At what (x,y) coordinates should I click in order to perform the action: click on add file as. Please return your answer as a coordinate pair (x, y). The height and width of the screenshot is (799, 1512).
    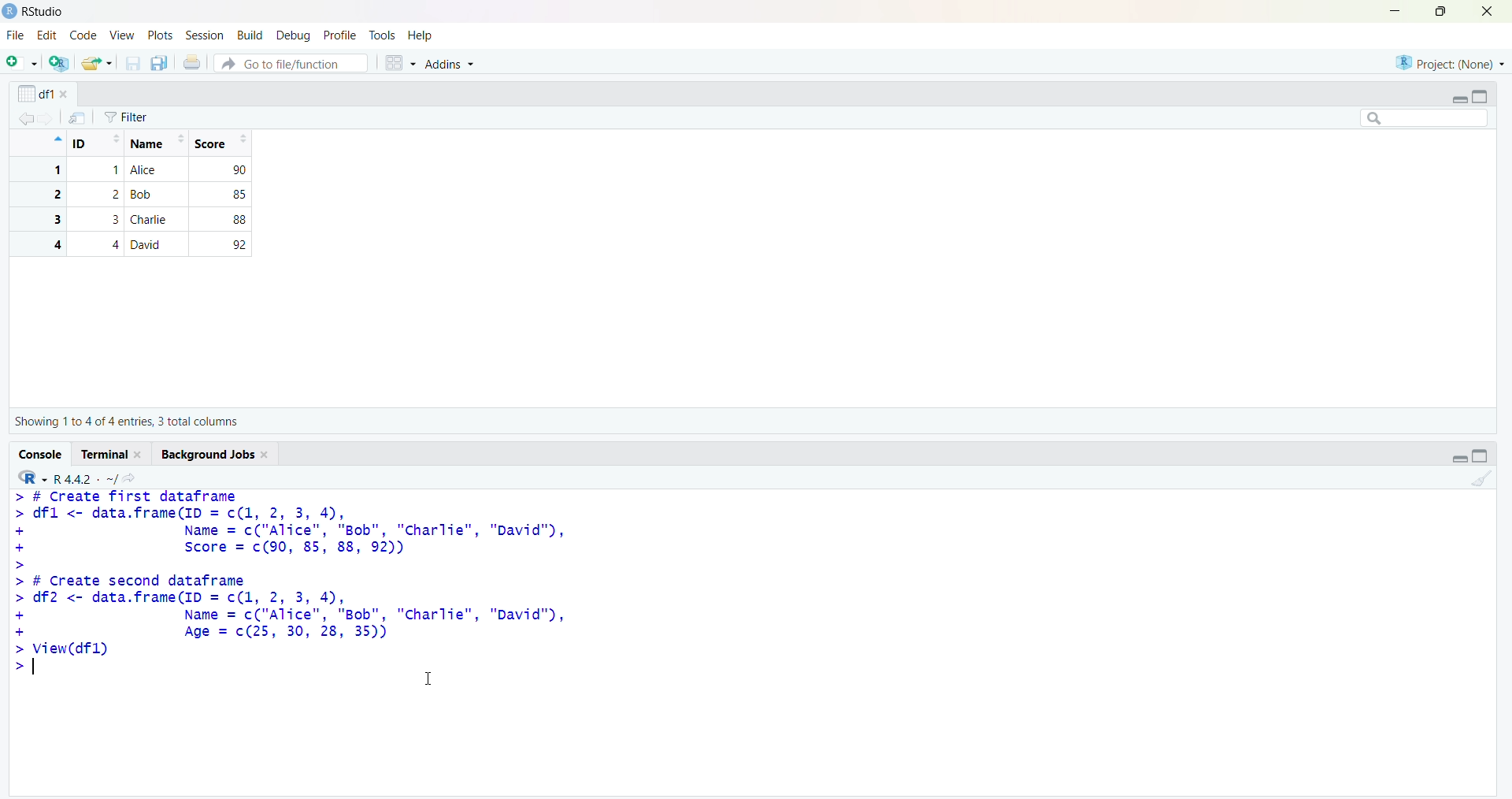
    Looking at the image, I should click on (25, 62).